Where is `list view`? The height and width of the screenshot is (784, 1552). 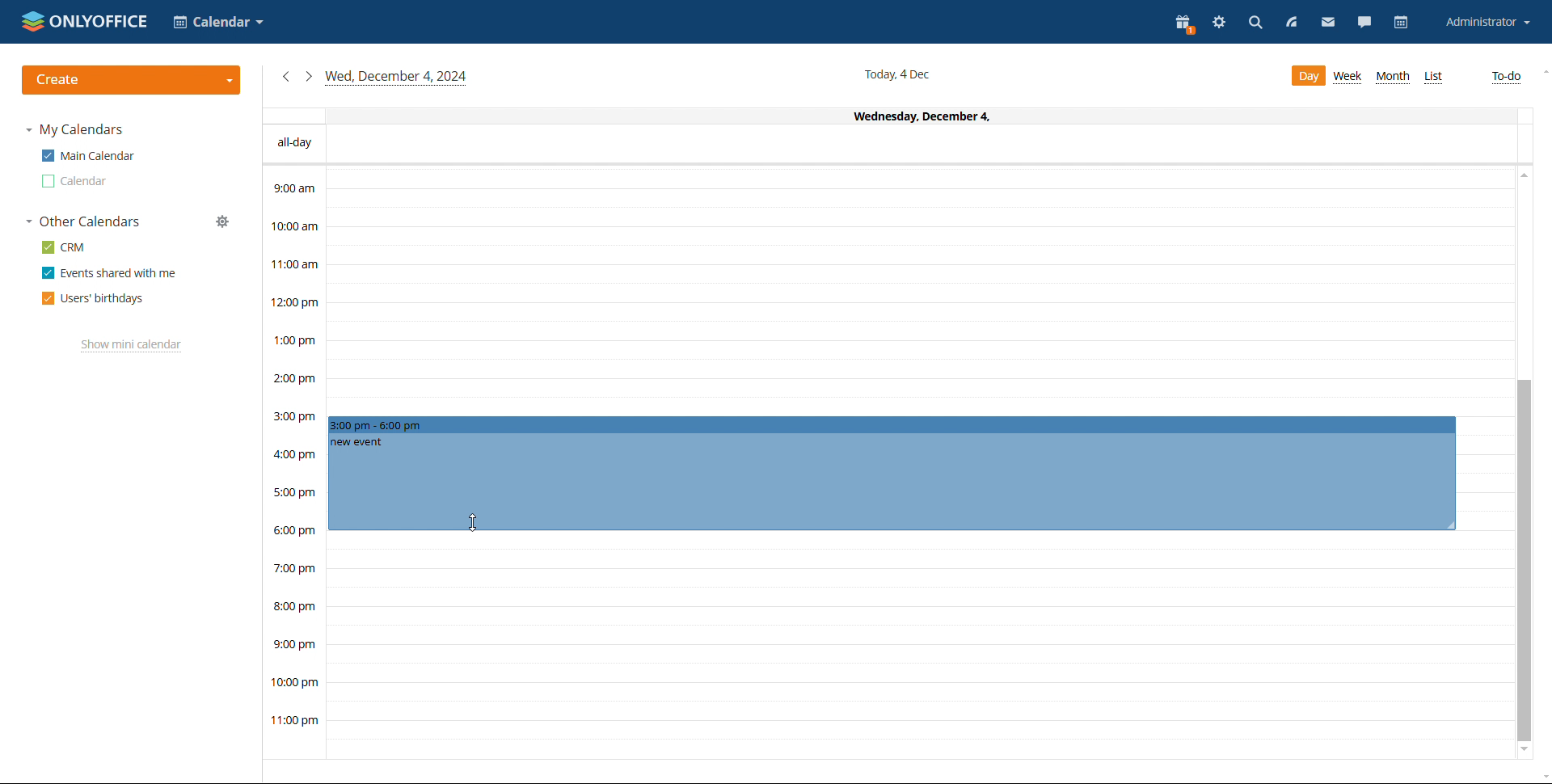
list view is located at coordinates (1432, 78).